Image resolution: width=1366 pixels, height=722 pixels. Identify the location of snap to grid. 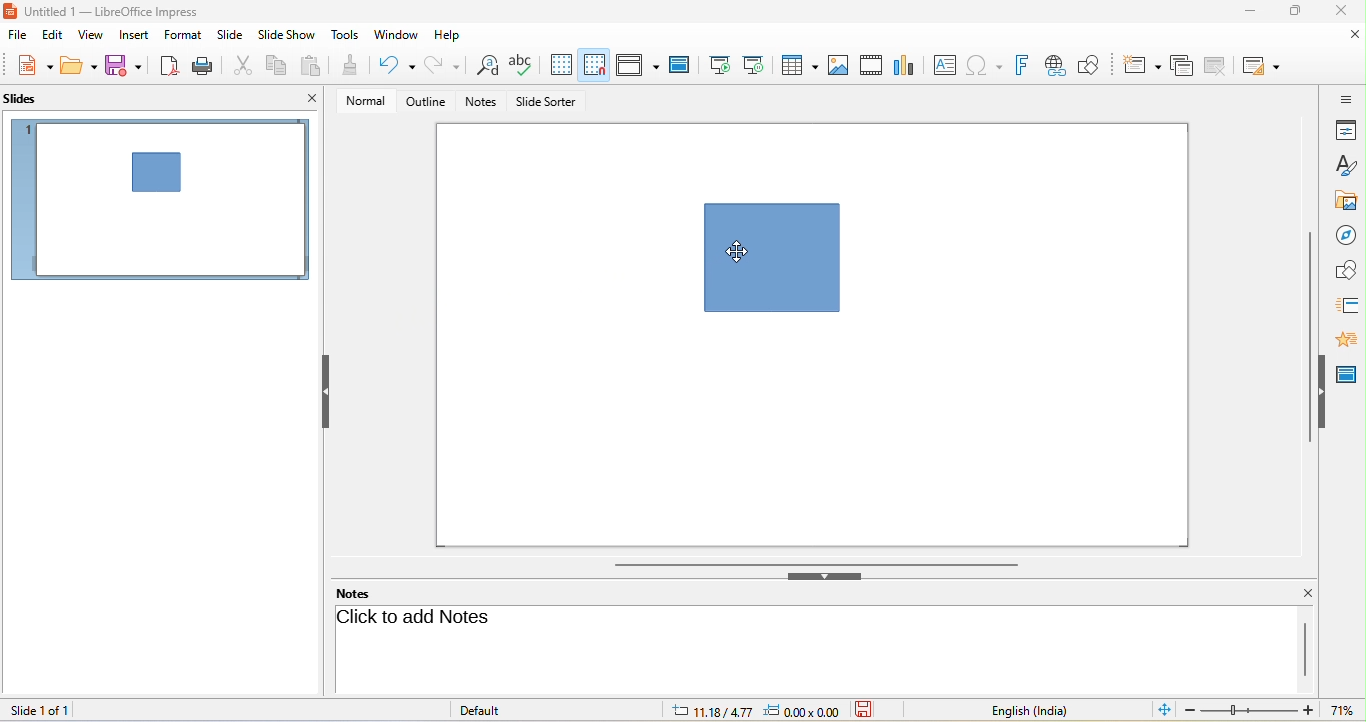
(599, 64).